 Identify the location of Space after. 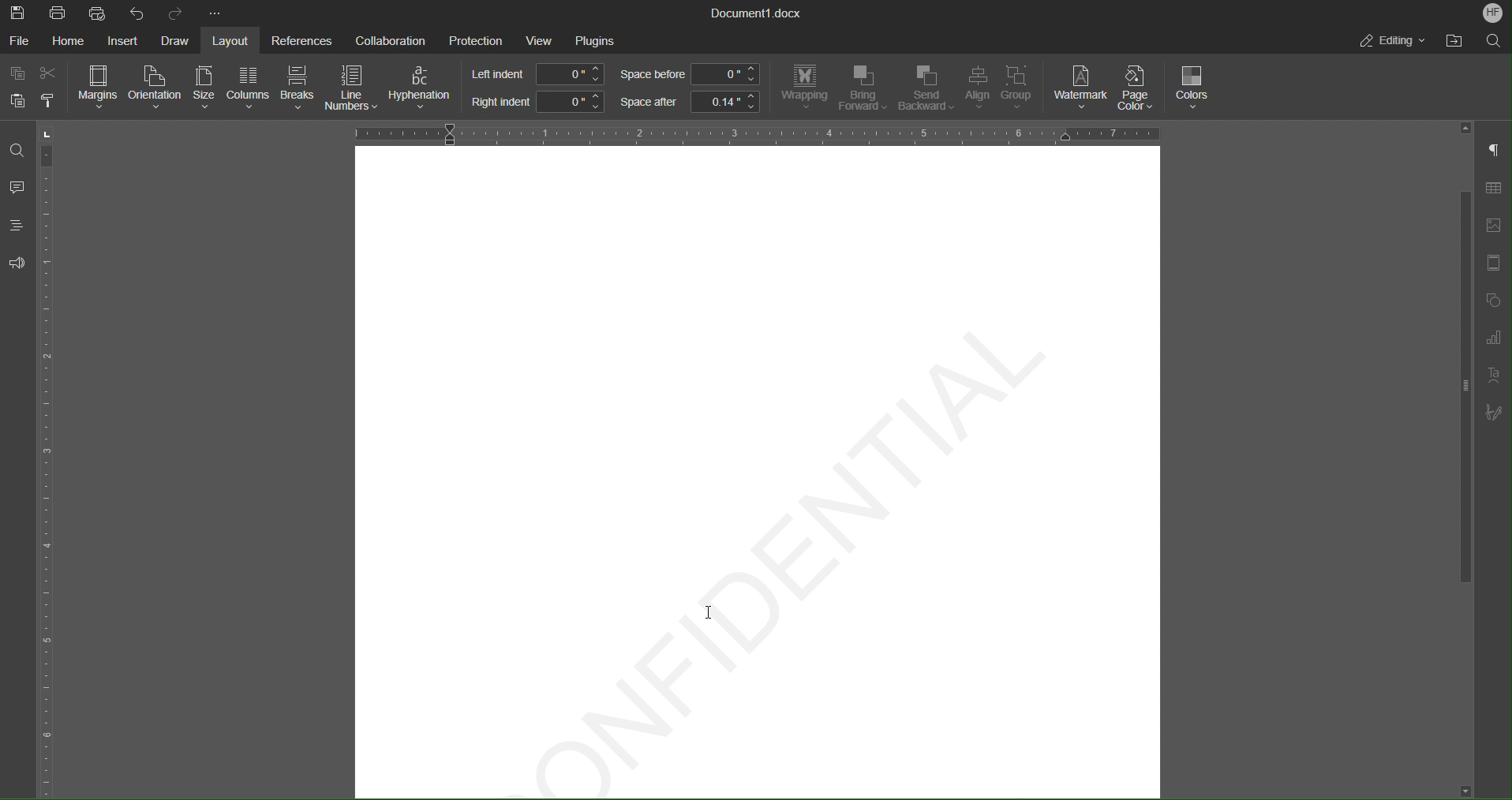
(689, 102).